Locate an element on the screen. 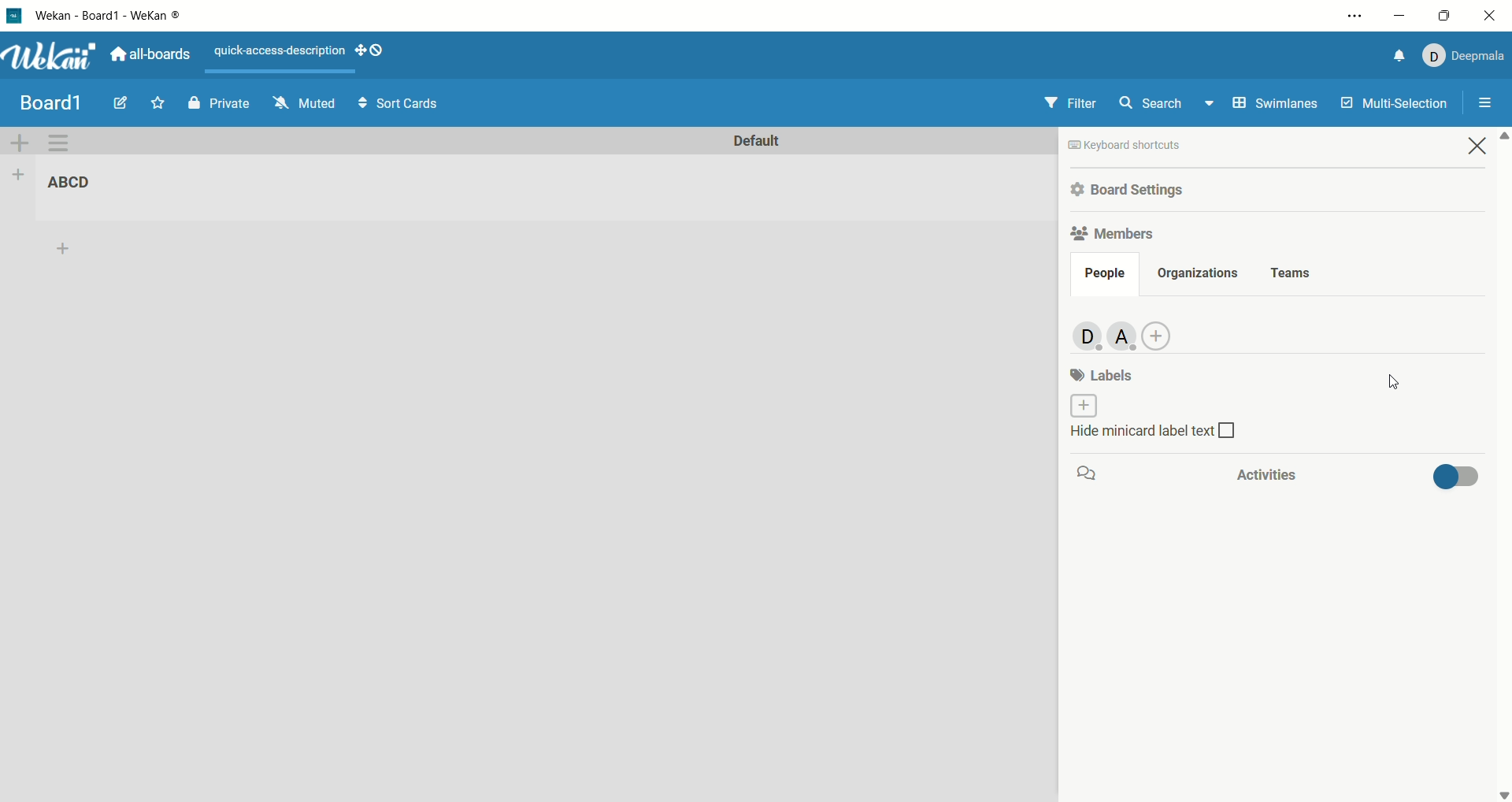  title is located at coordinates (50, 102).